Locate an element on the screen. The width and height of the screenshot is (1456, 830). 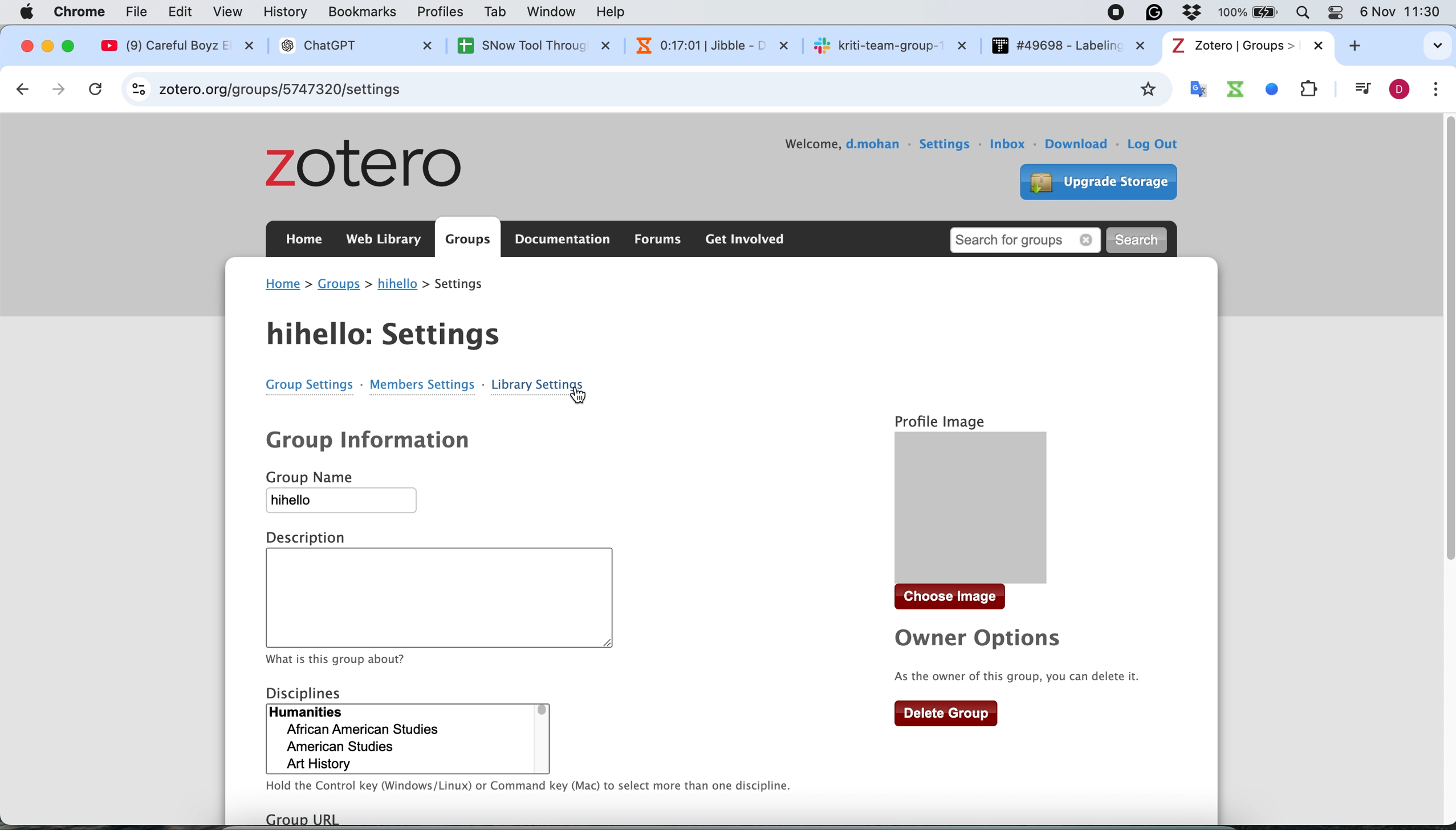
view is located at coordinates (230, 11).